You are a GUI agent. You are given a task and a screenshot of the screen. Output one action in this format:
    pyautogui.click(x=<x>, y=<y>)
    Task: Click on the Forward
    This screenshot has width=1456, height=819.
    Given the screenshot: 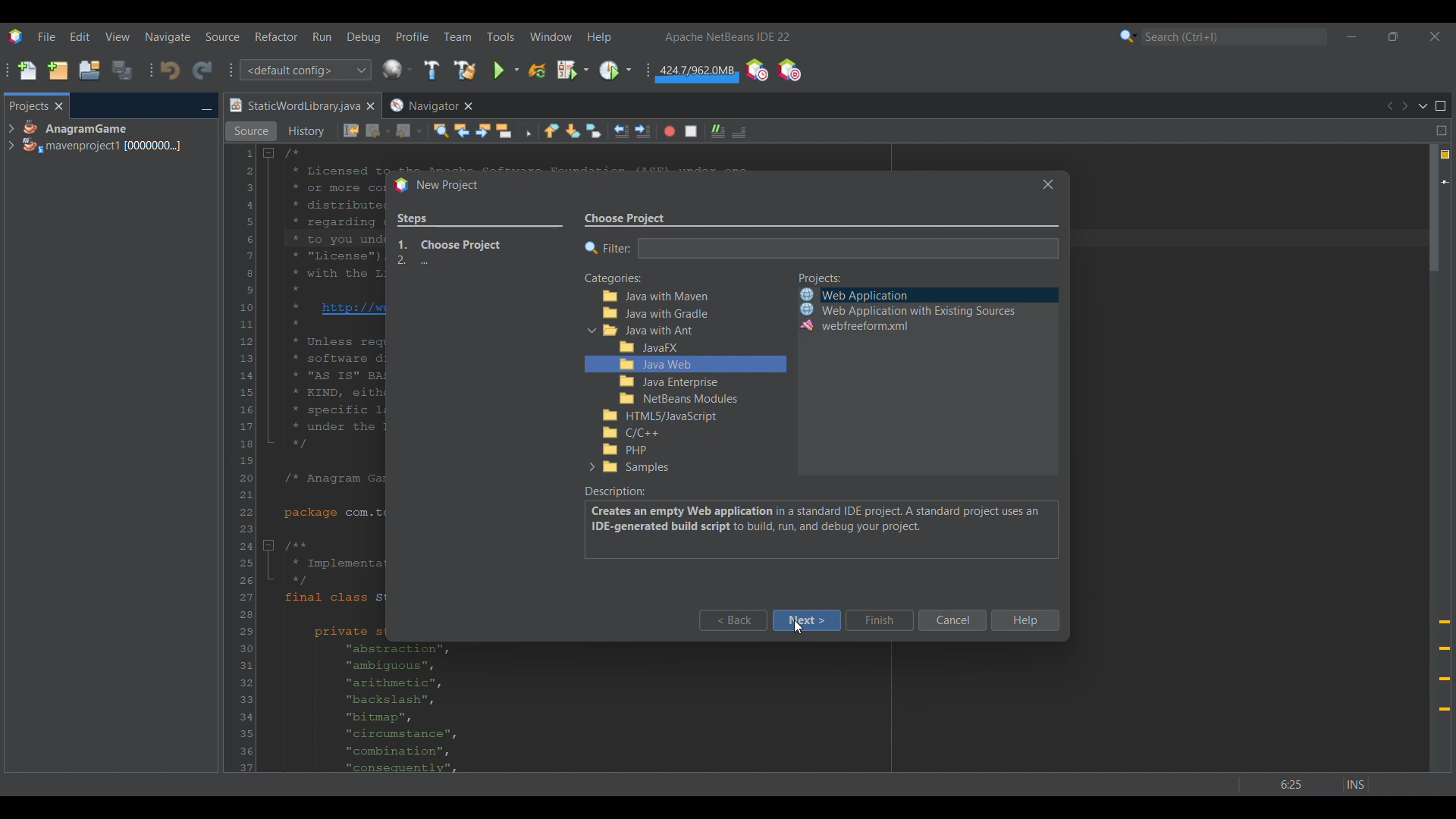 What is the action you would take?
    pyautogui.click(x=409, y=131)
    